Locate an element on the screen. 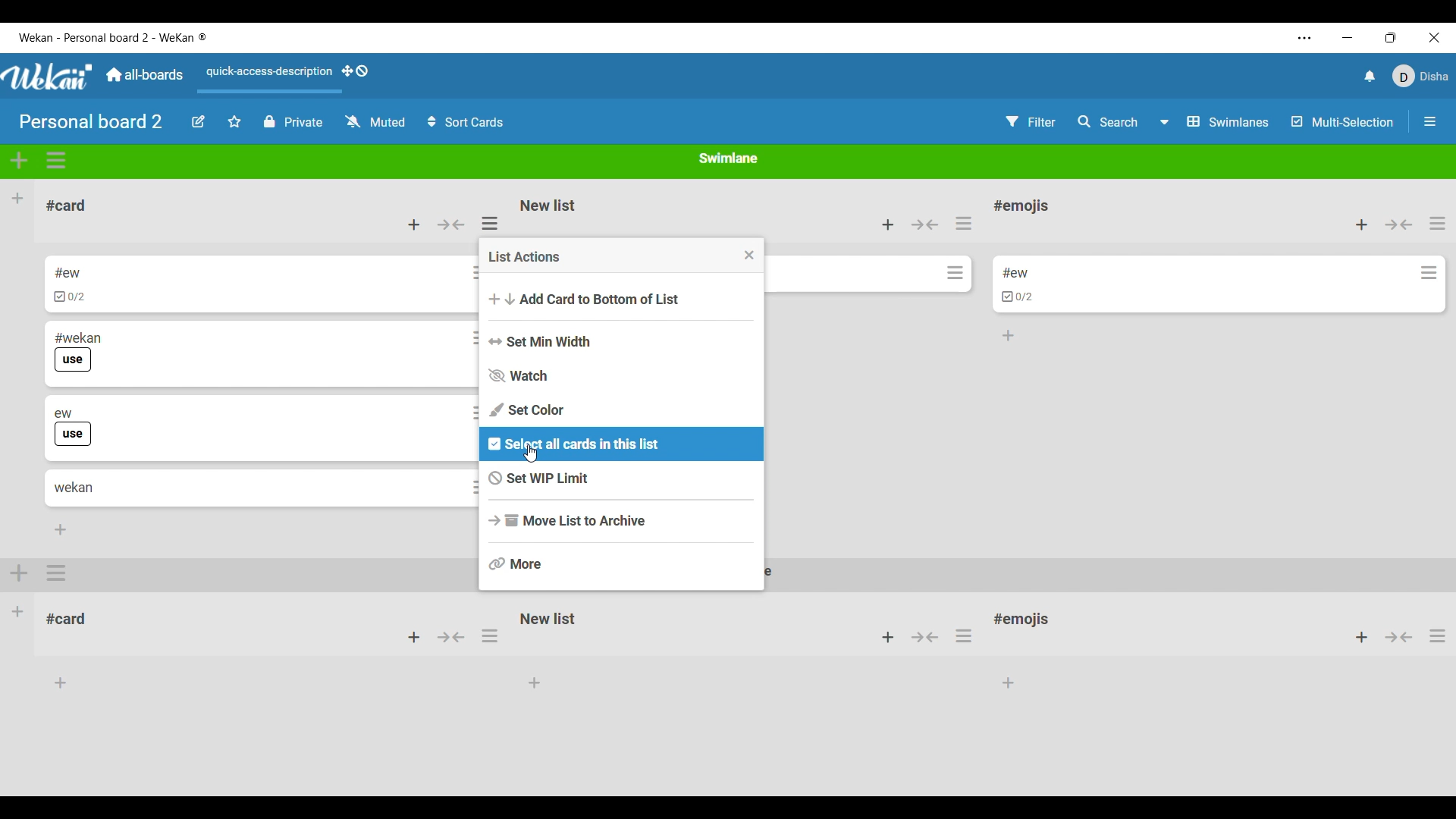 The width and height of the screenshot is (1456, 819). Edit board is located at coordinates (198, 122).